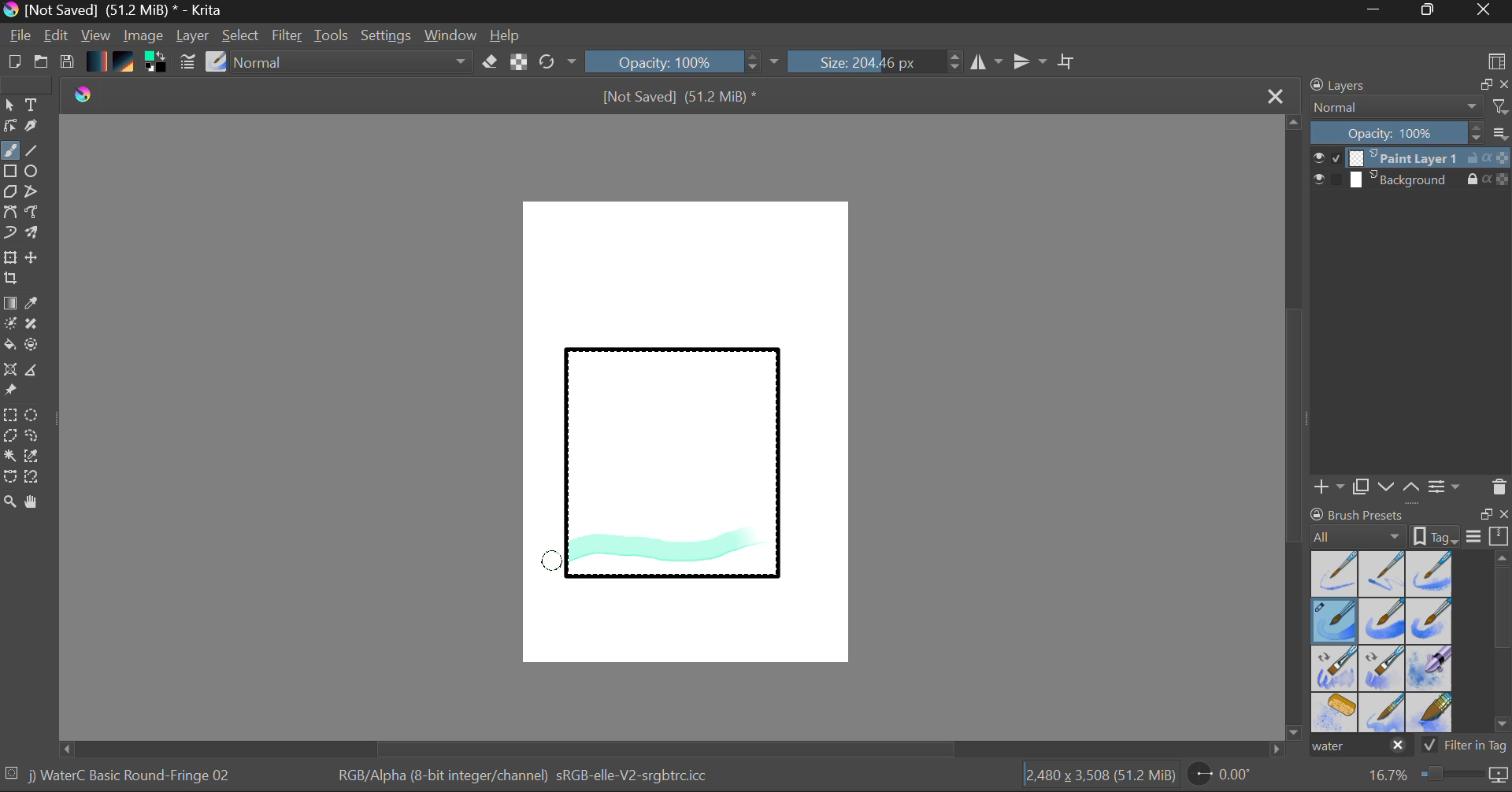 The width and height of the screenshot is (1512, 792). What do you see at coordinates (1362, 487) in the screenshot?
I see `Copy Layer` at bounding box center [1362, 487].